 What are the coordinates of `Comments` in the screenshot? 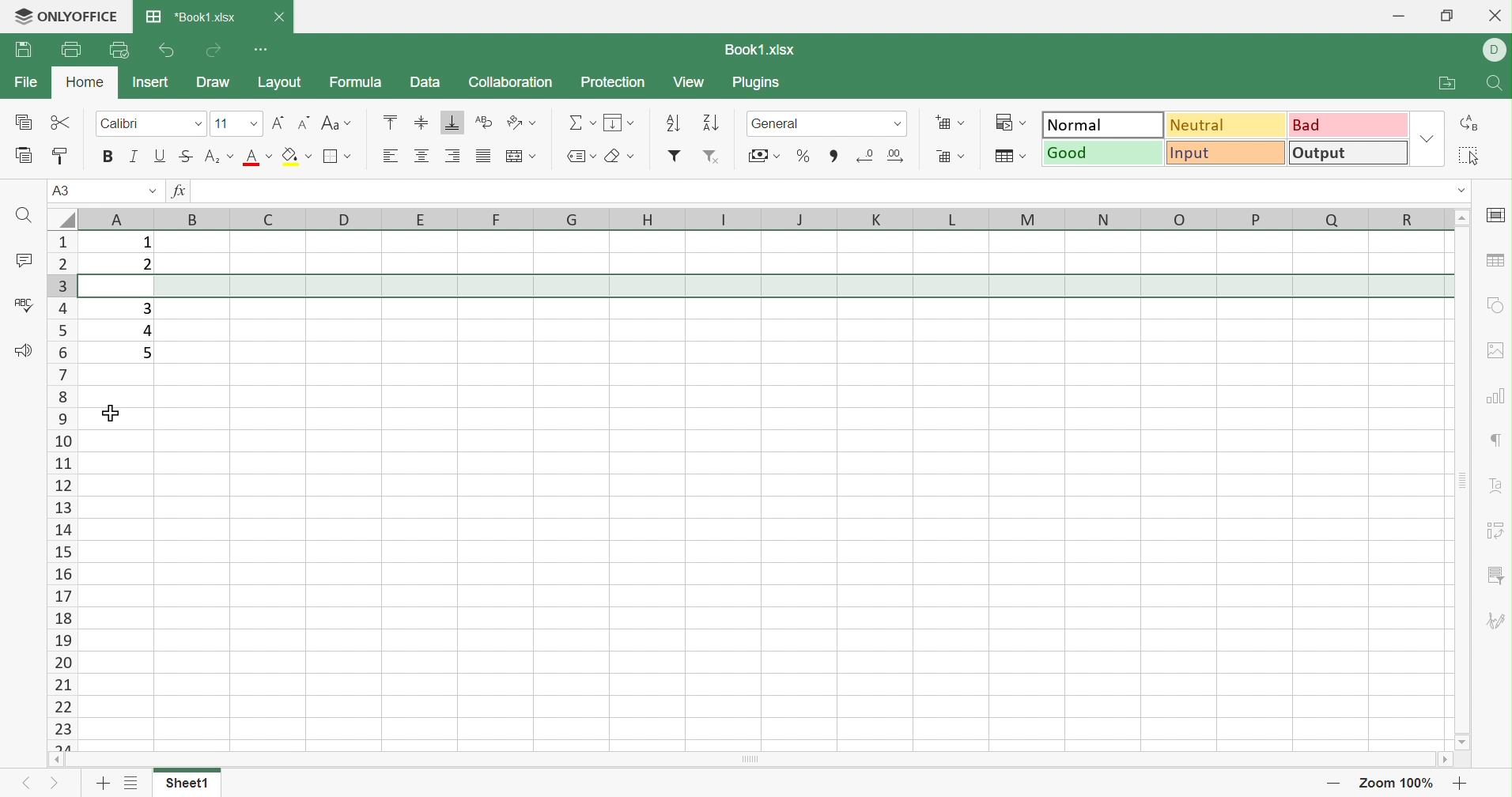 It's located at (24, 260).